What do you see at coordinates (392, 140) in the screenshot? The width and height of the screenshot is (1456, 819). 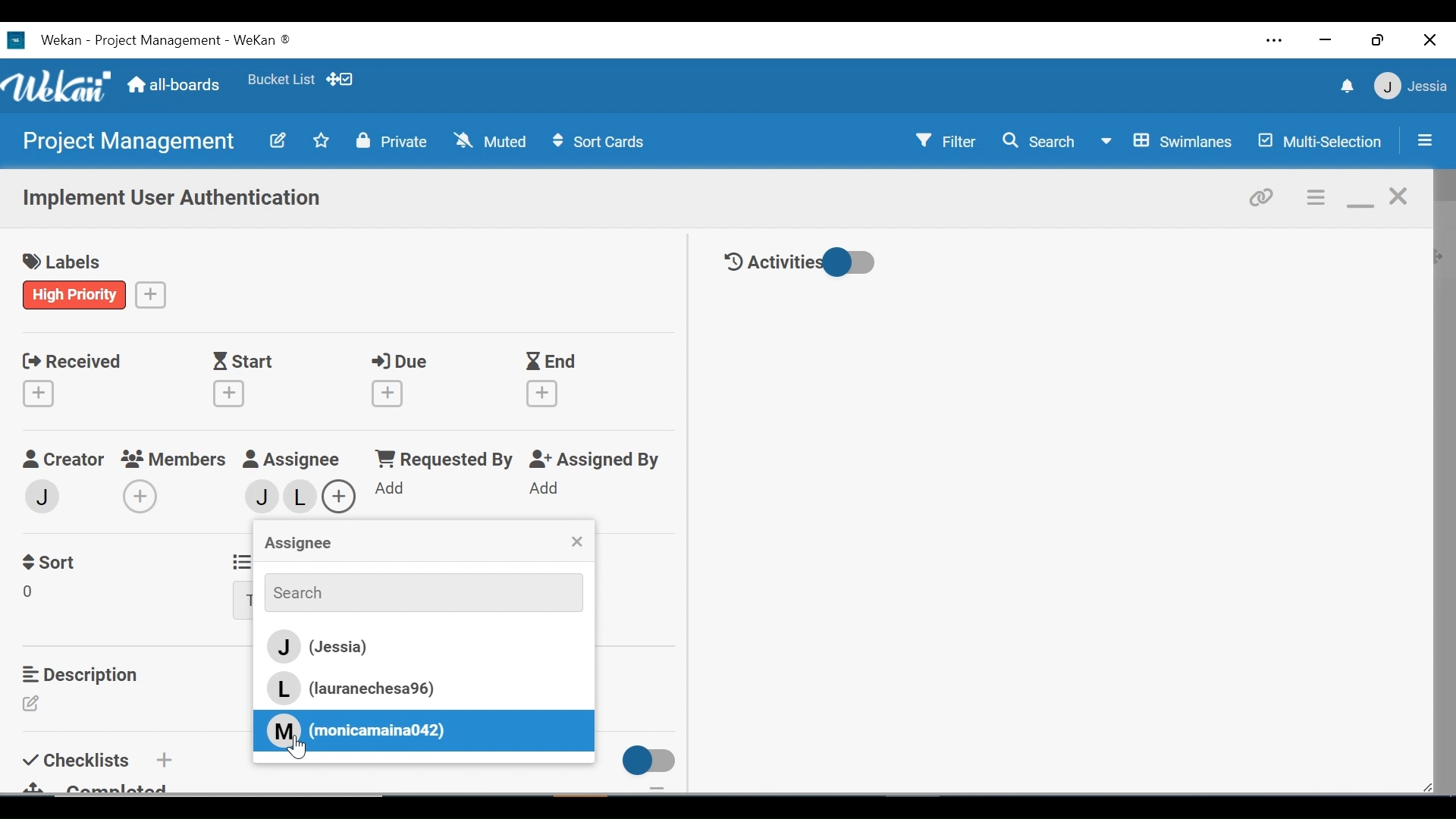 I see `Private` at bounding box center [392, 140].